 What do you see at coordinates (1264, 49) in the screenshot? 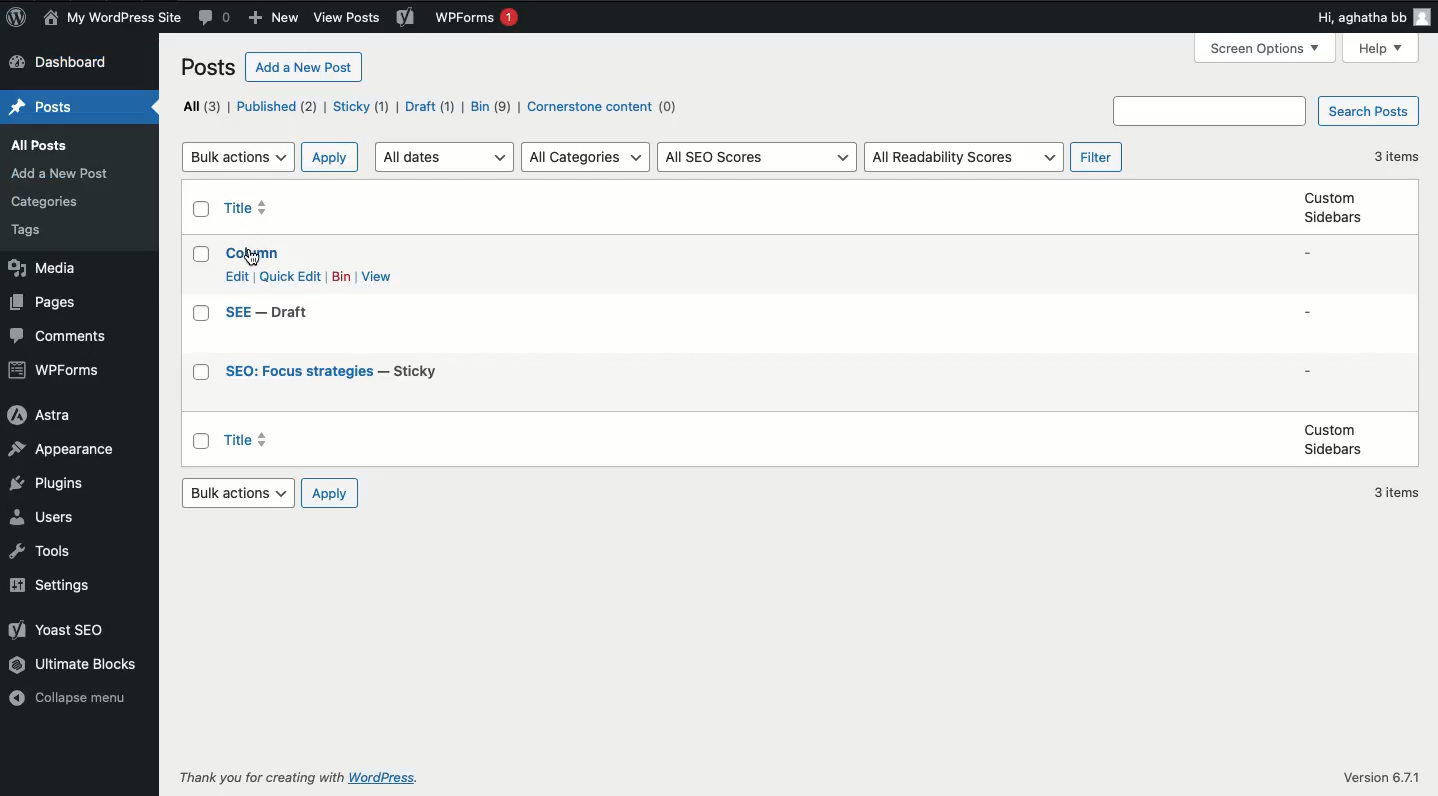
I see `Screen options` at bounding box center [1264, 49].